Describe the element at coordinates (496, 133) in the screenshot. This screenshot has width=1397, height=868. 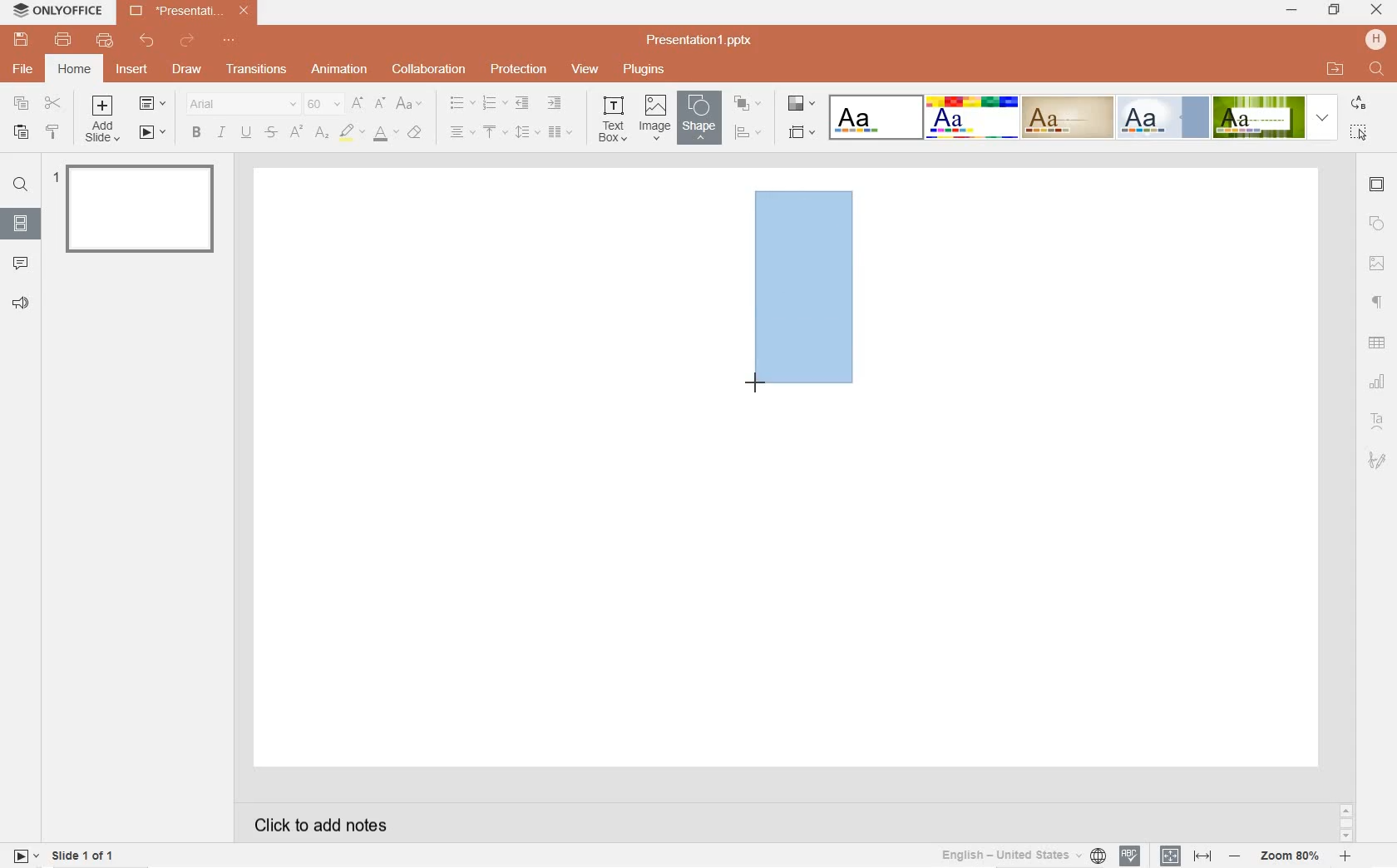
I see `vertical align` at that location.